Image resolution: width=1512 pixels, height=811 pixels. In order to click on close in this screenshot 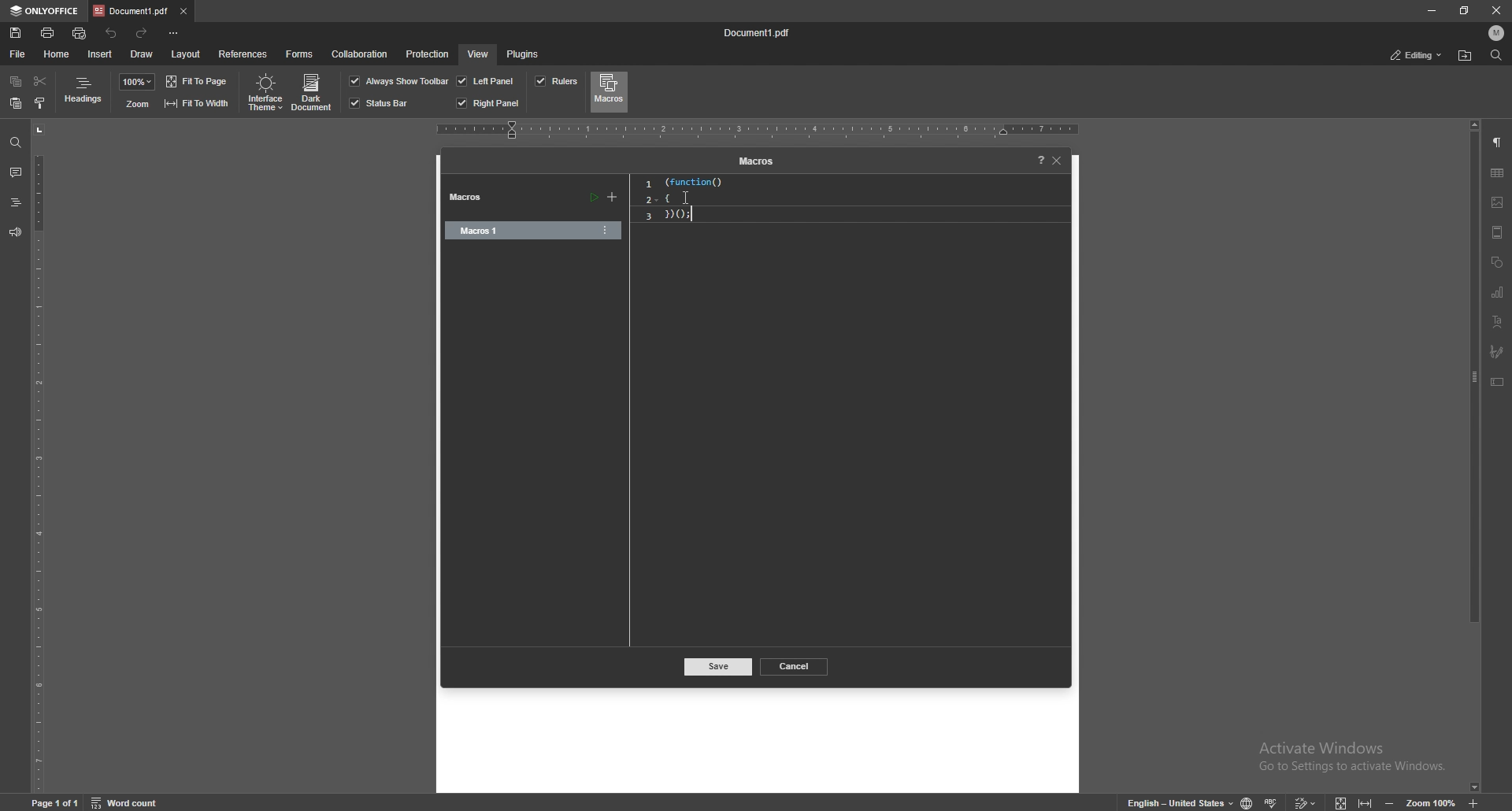, I will do `click(1058, 161)`.